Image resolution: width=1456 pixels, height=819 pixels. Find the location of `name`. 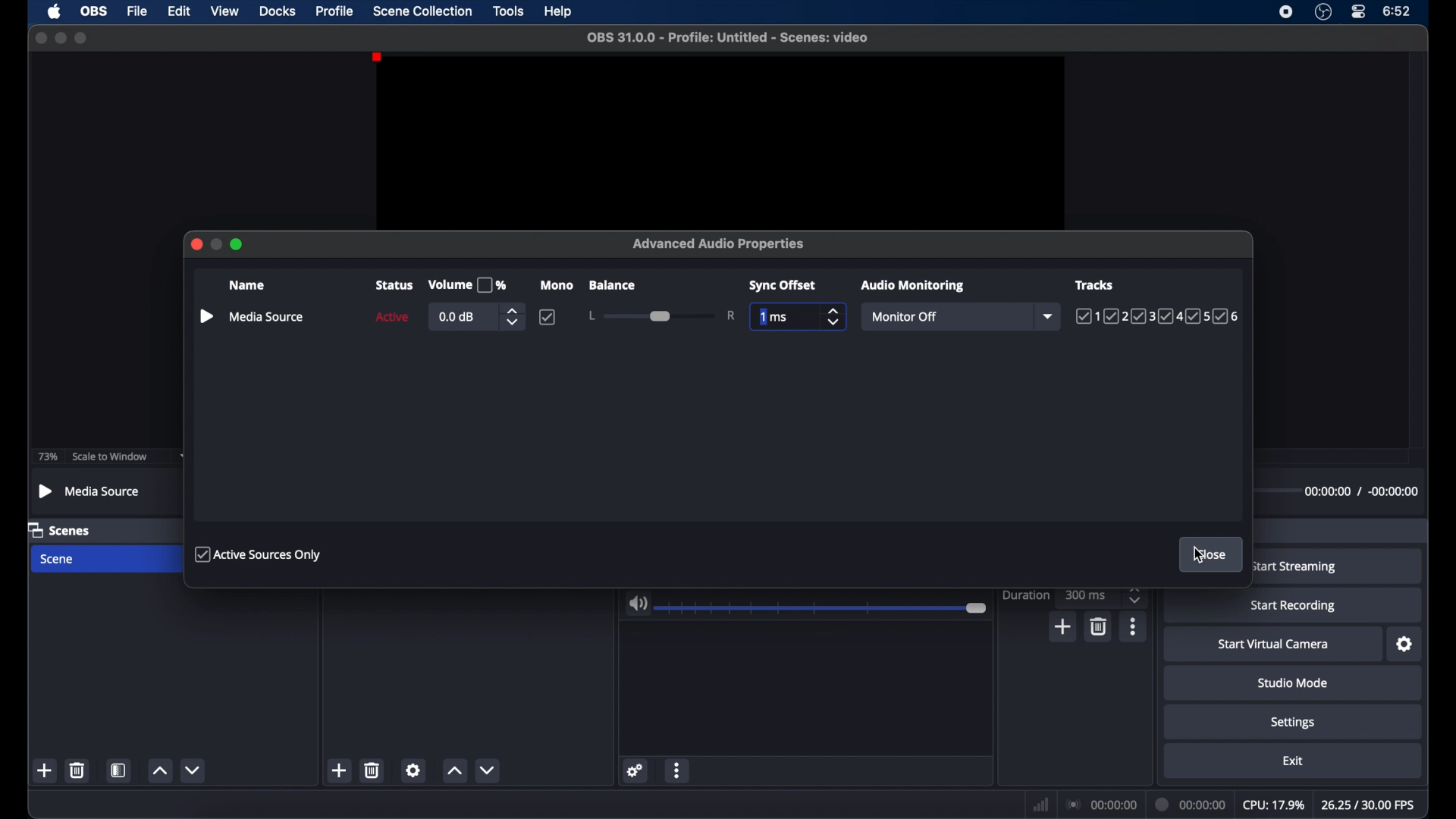

name is located at coordinates (246, 284).